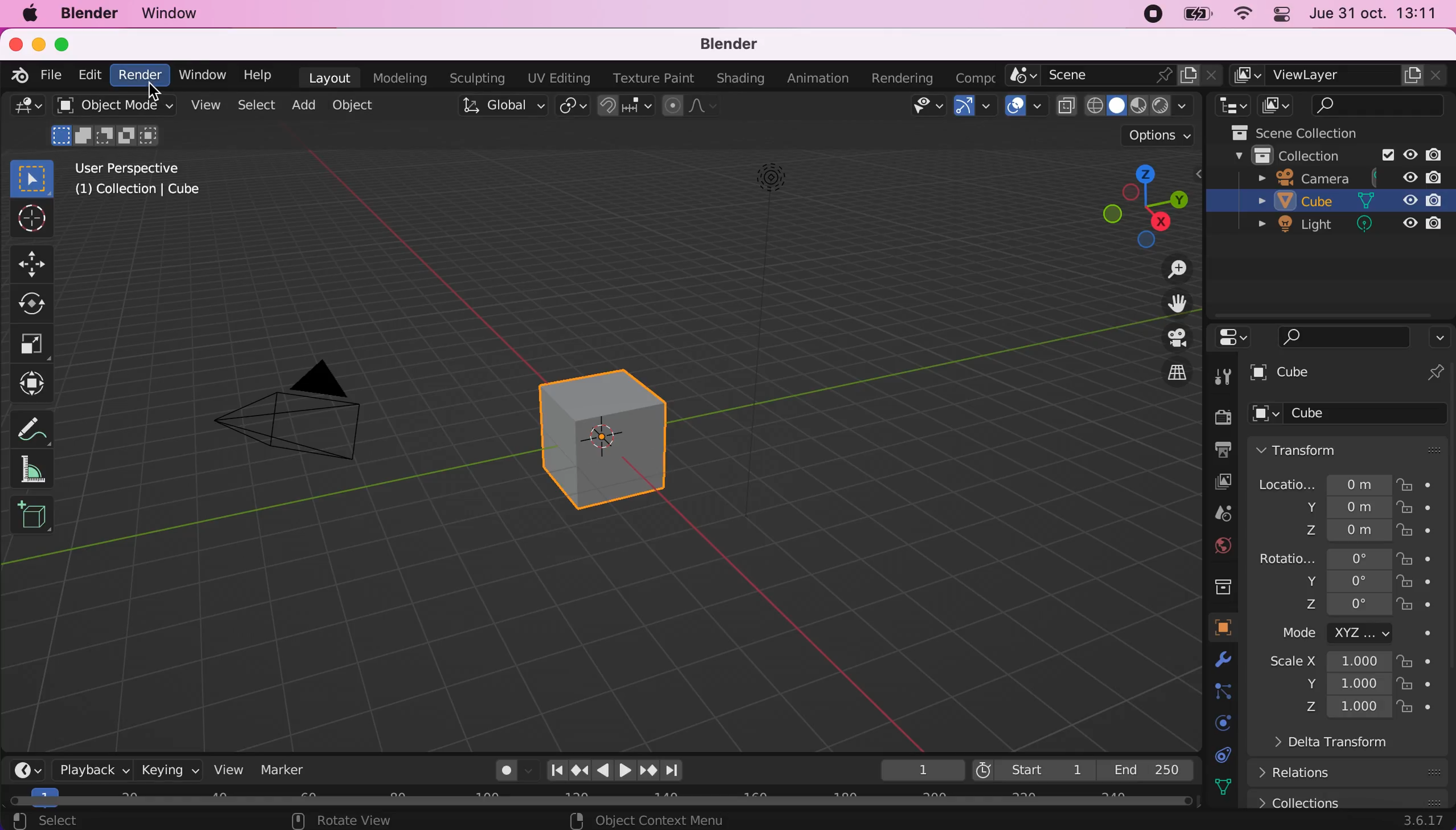  What do you see at coordinates (1229, 105) in the screenshot?
I see `editor type` at bounding box center [1229, 105].